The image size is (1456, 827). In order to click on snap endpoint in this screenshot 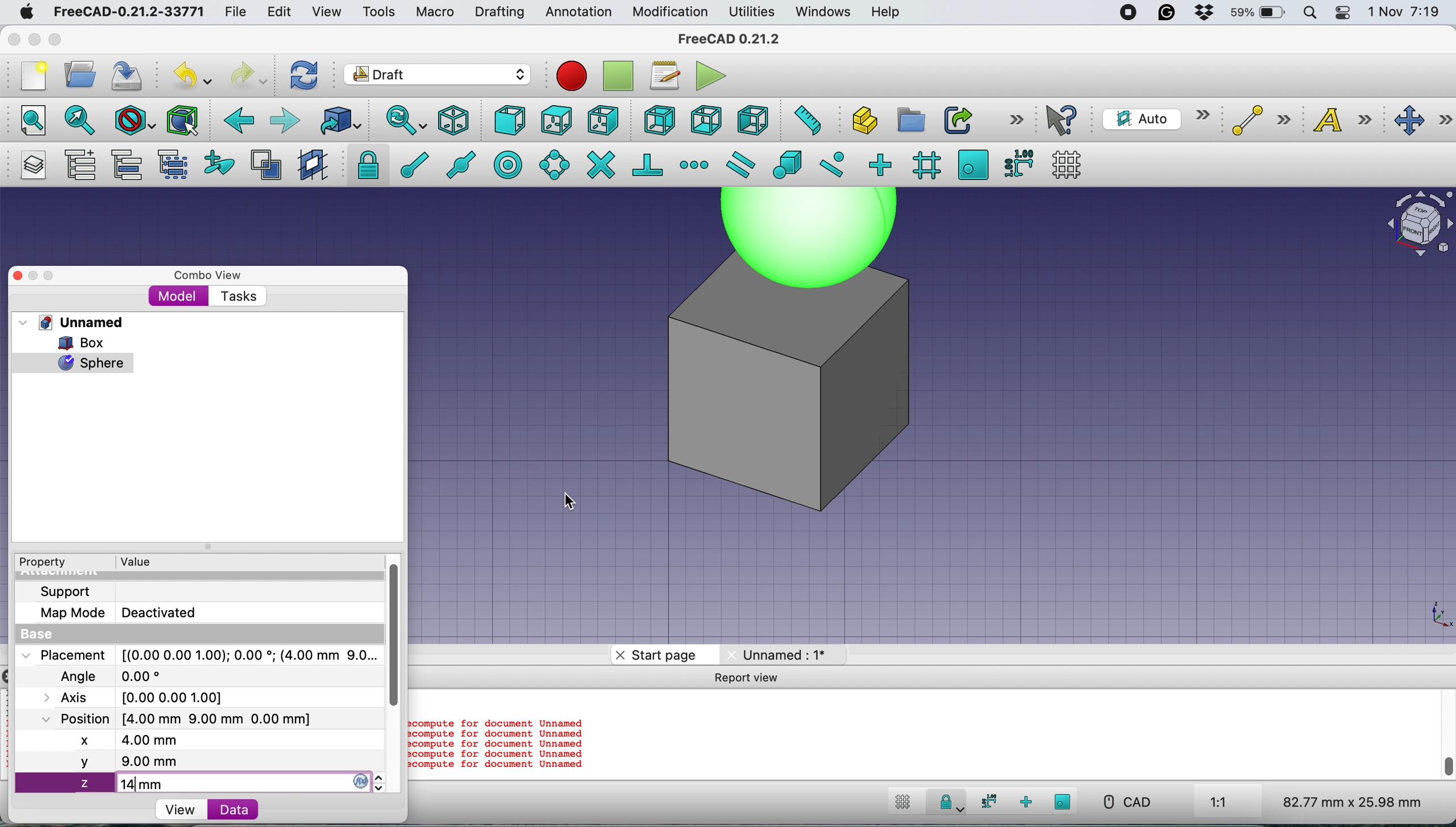, I will do `click(408, 169)`.